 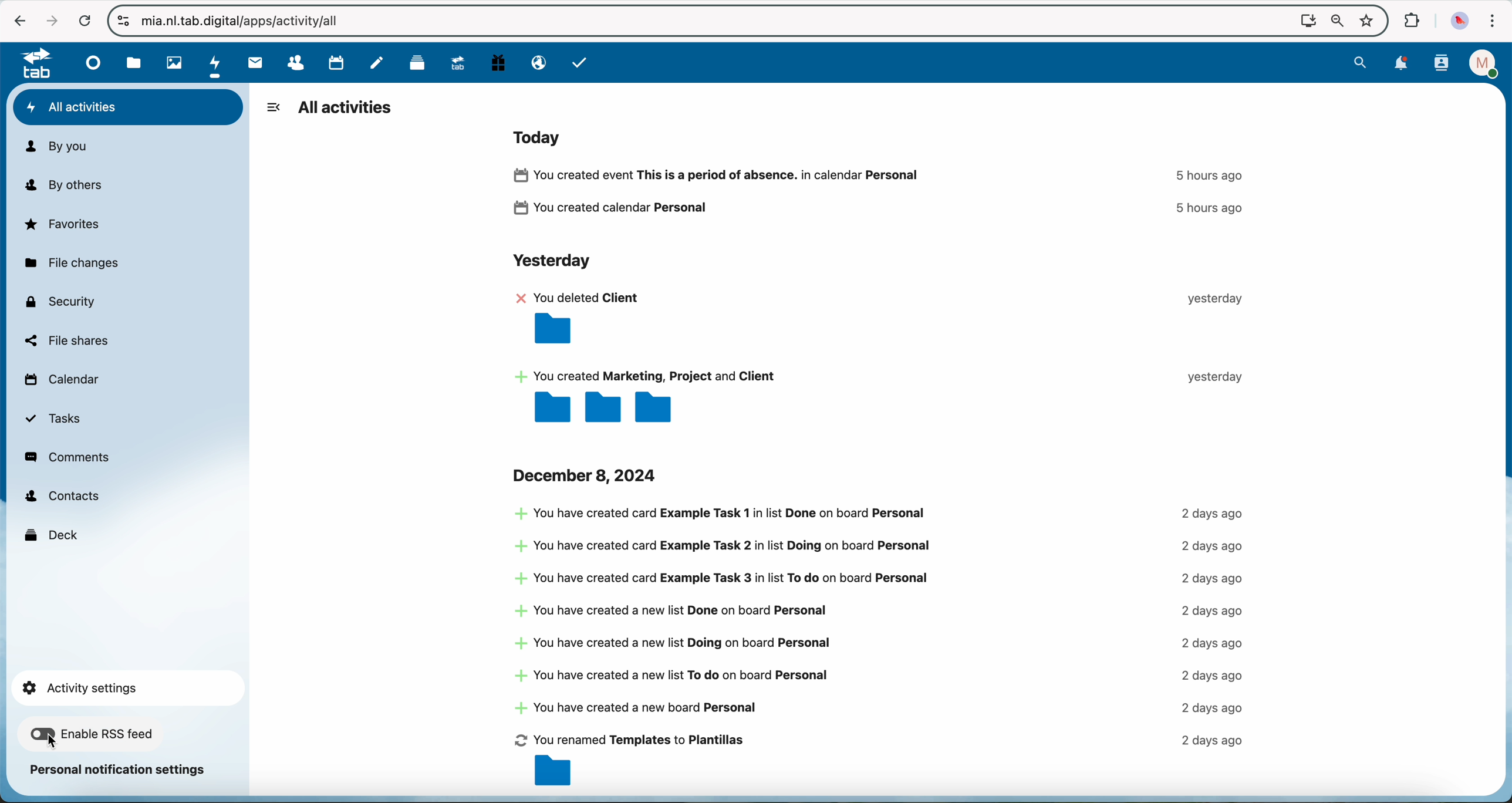 I want to click on comments, so click(x=69, y=457).